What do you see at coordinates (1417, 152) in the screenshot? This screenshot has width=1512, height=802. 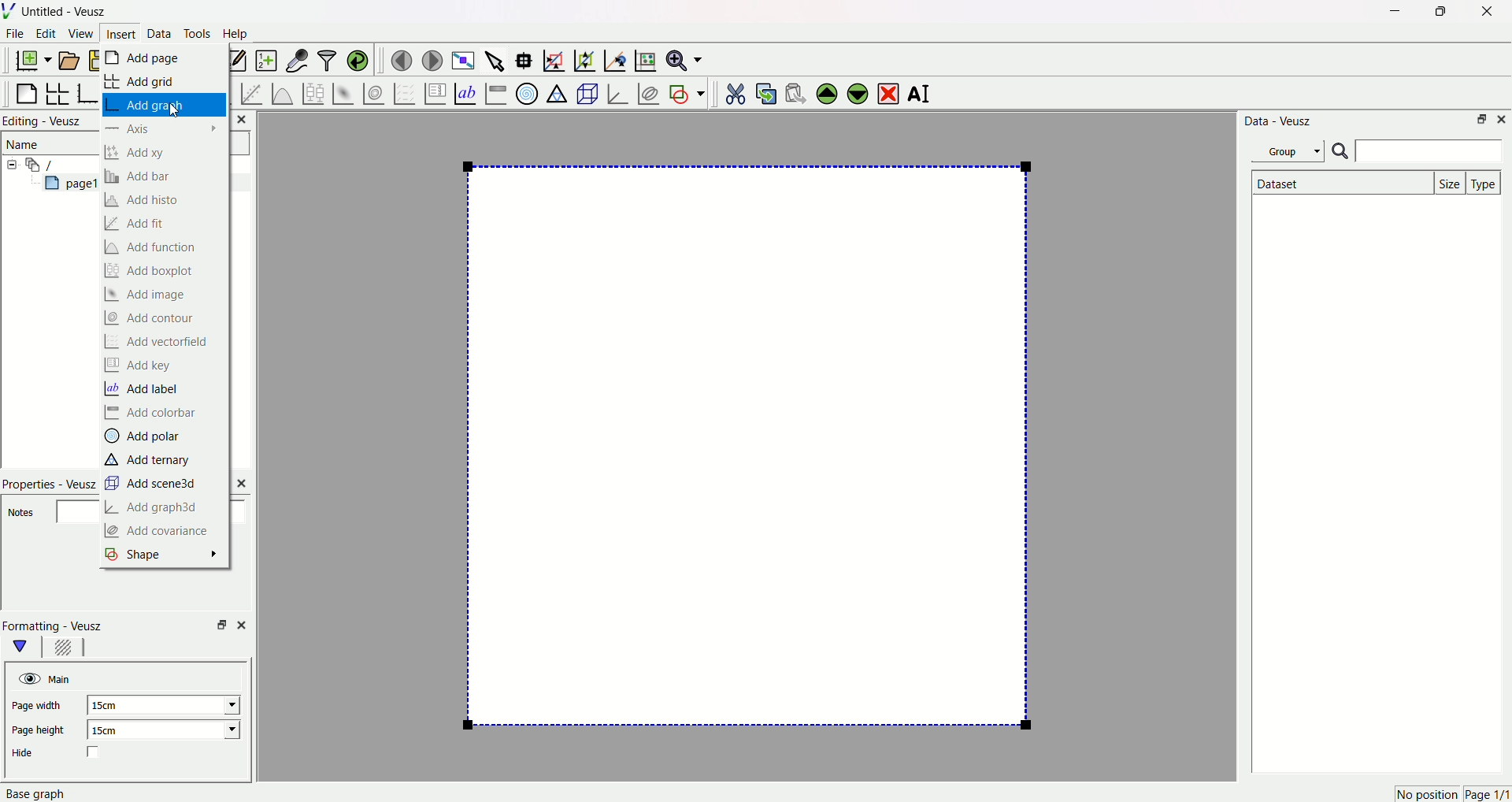 I see `Searchbar` at bounding box center [1417, 152].